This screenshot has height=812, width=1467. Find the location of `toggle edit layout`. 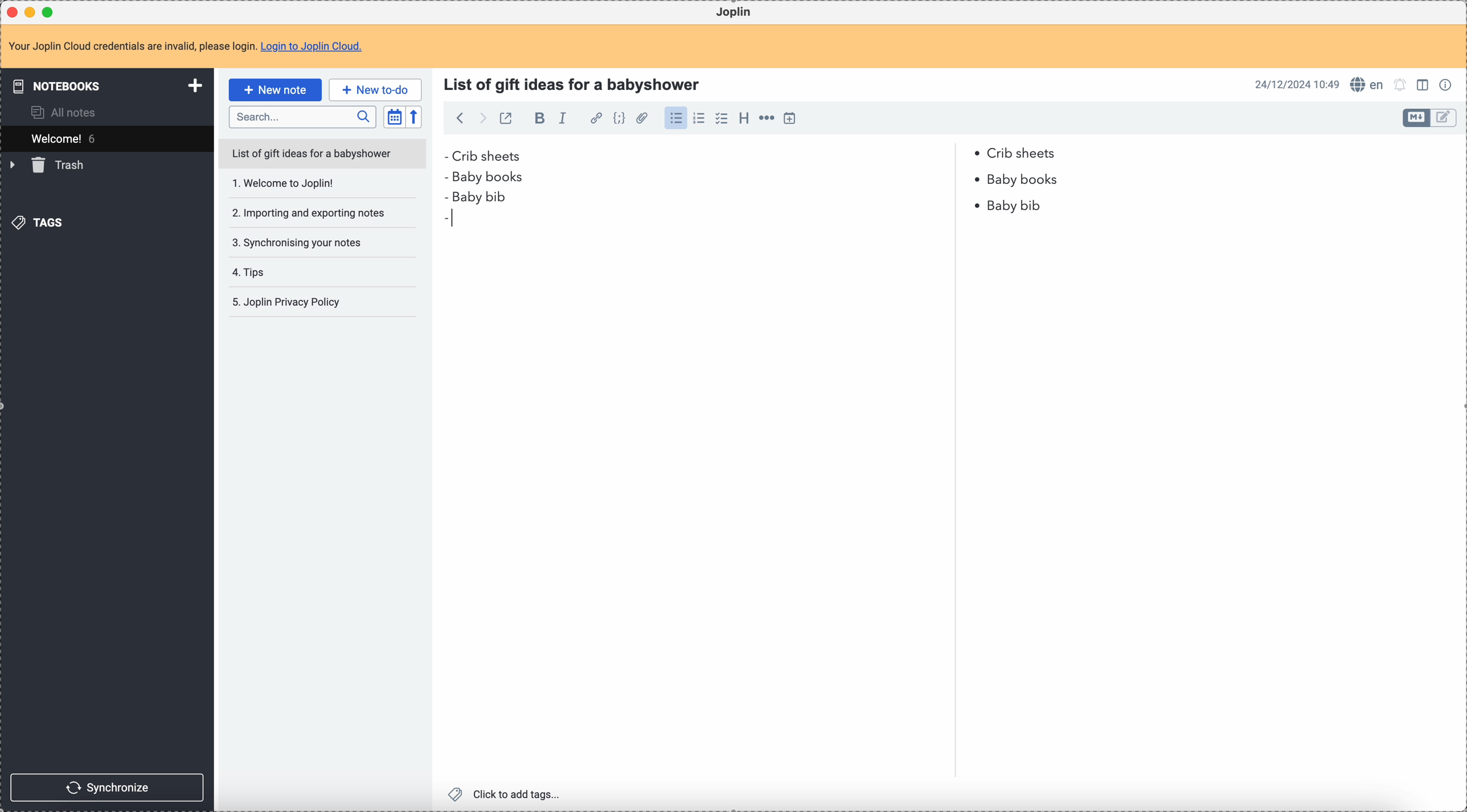

toggle edit layout is located at coordinates (1425, 87).